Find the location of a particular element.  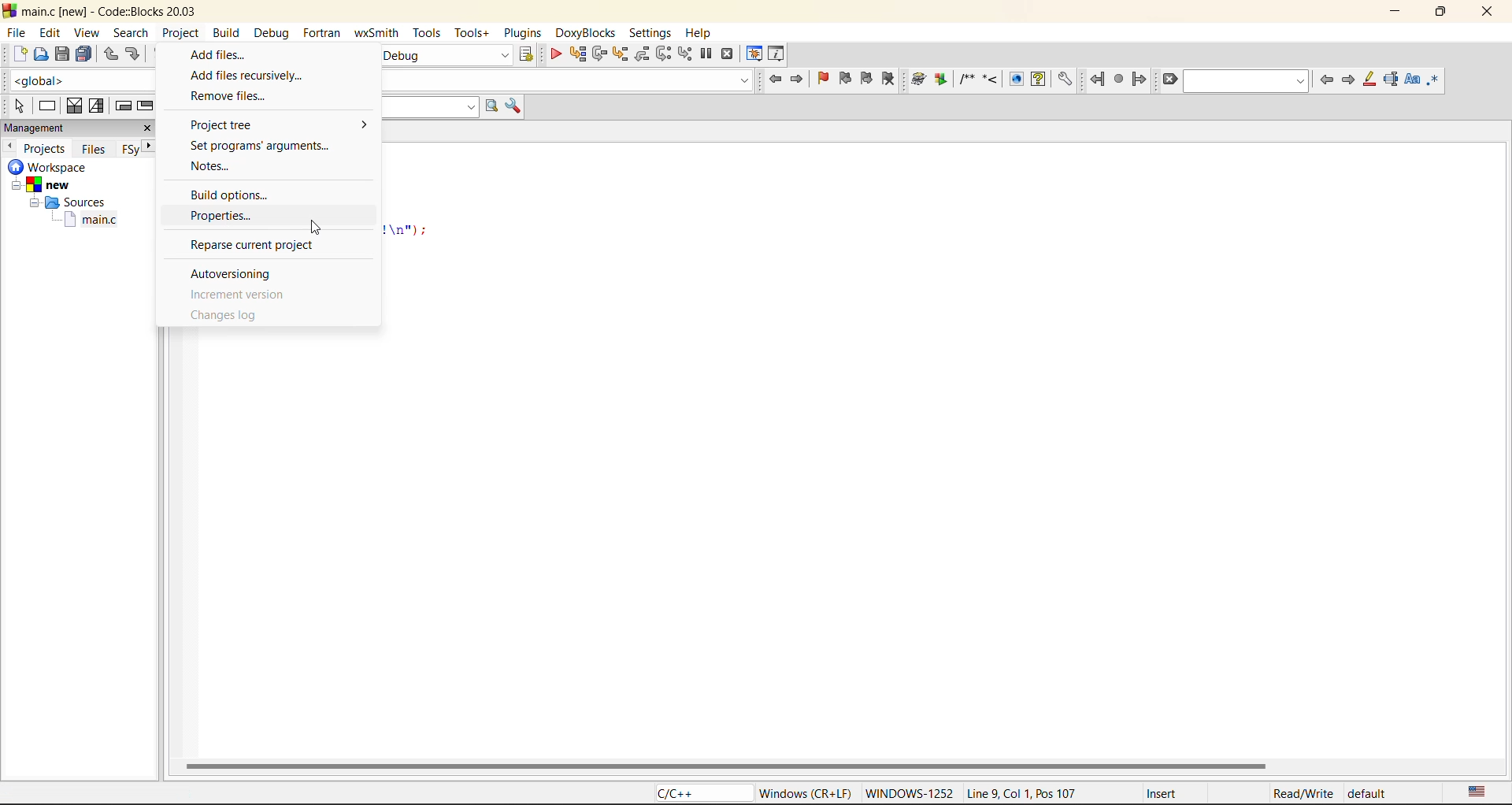

decision is located at coordinates (75, 106).